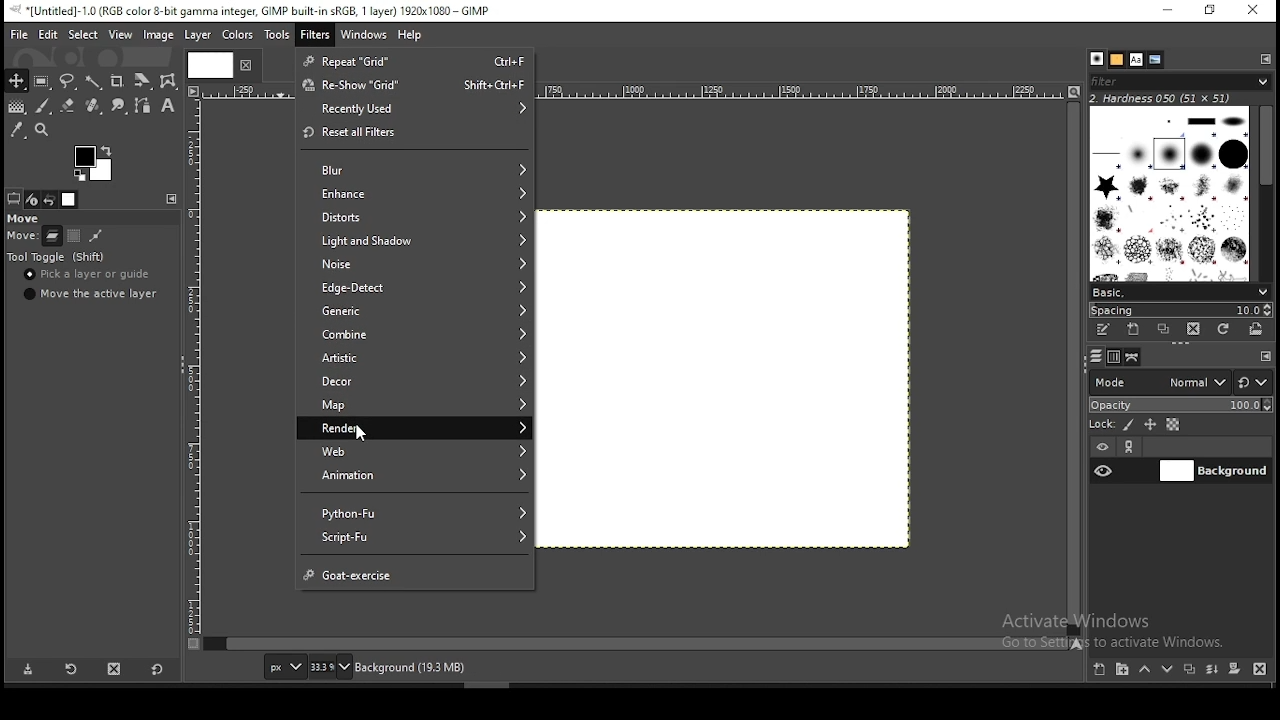  Describe the element at coordinates (1117, 60) in the screenshot. I see `patterns` at that location.